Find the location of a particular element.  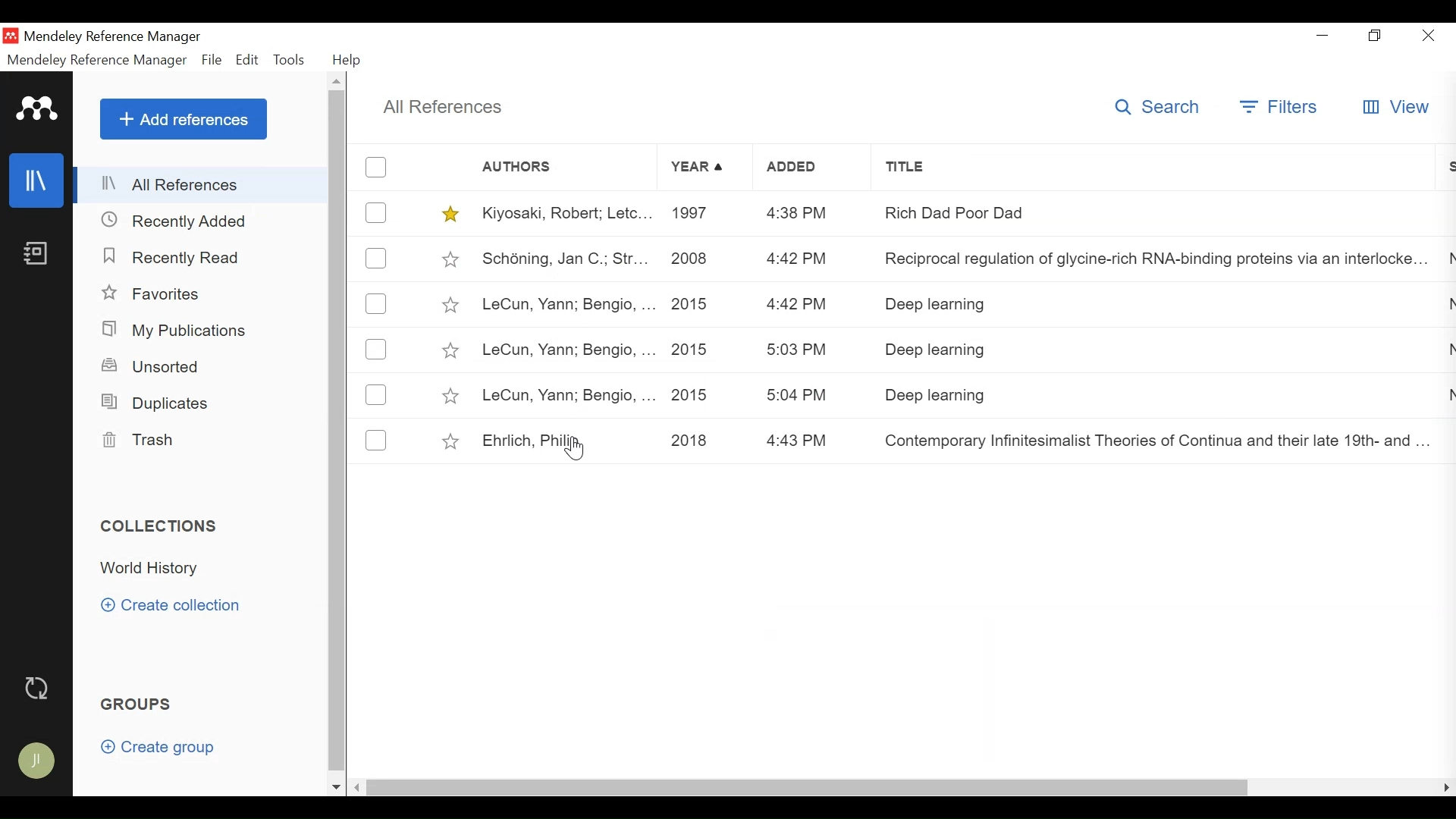

Mendeley is located at coordinates (38, 108).